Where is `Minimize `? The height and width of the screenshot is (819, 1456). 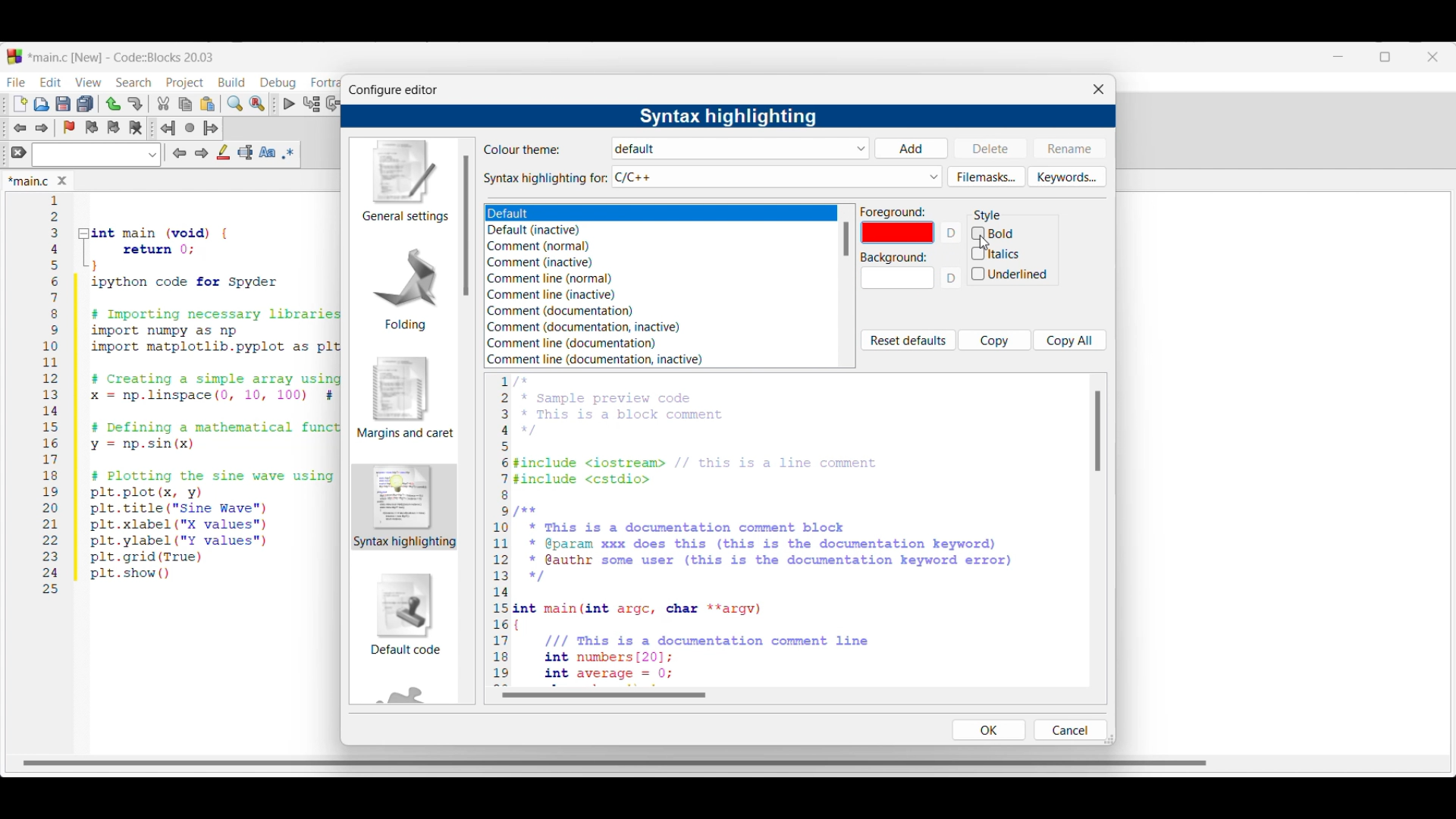 Minimize  is located at coordinates (1338, 57).